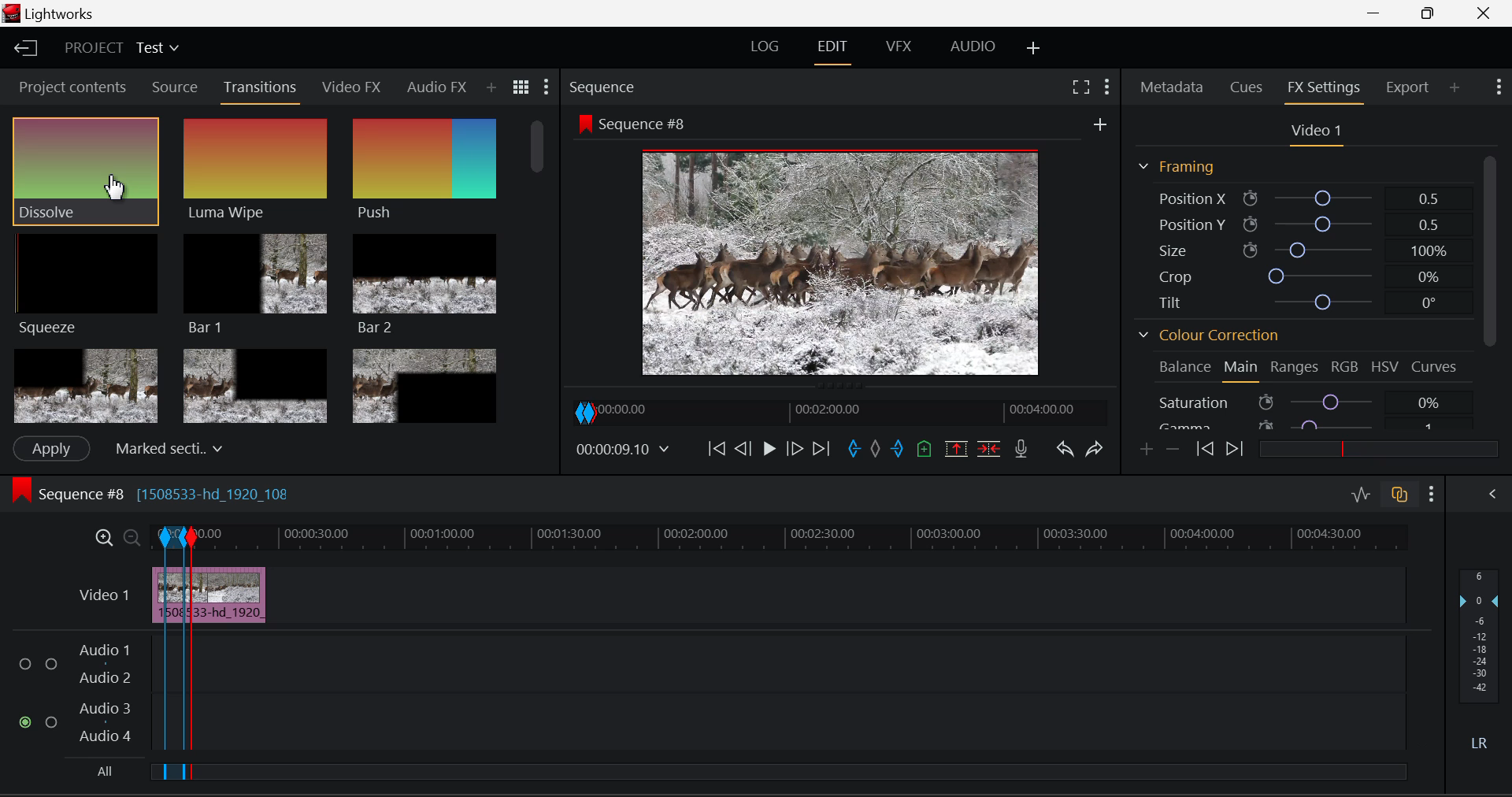 Image resolution: width=1512 pixels, height=797 pixels. Describe the element at coordinates (1022, 449) in the screenshot. I see `Record Voiceover` at that location.